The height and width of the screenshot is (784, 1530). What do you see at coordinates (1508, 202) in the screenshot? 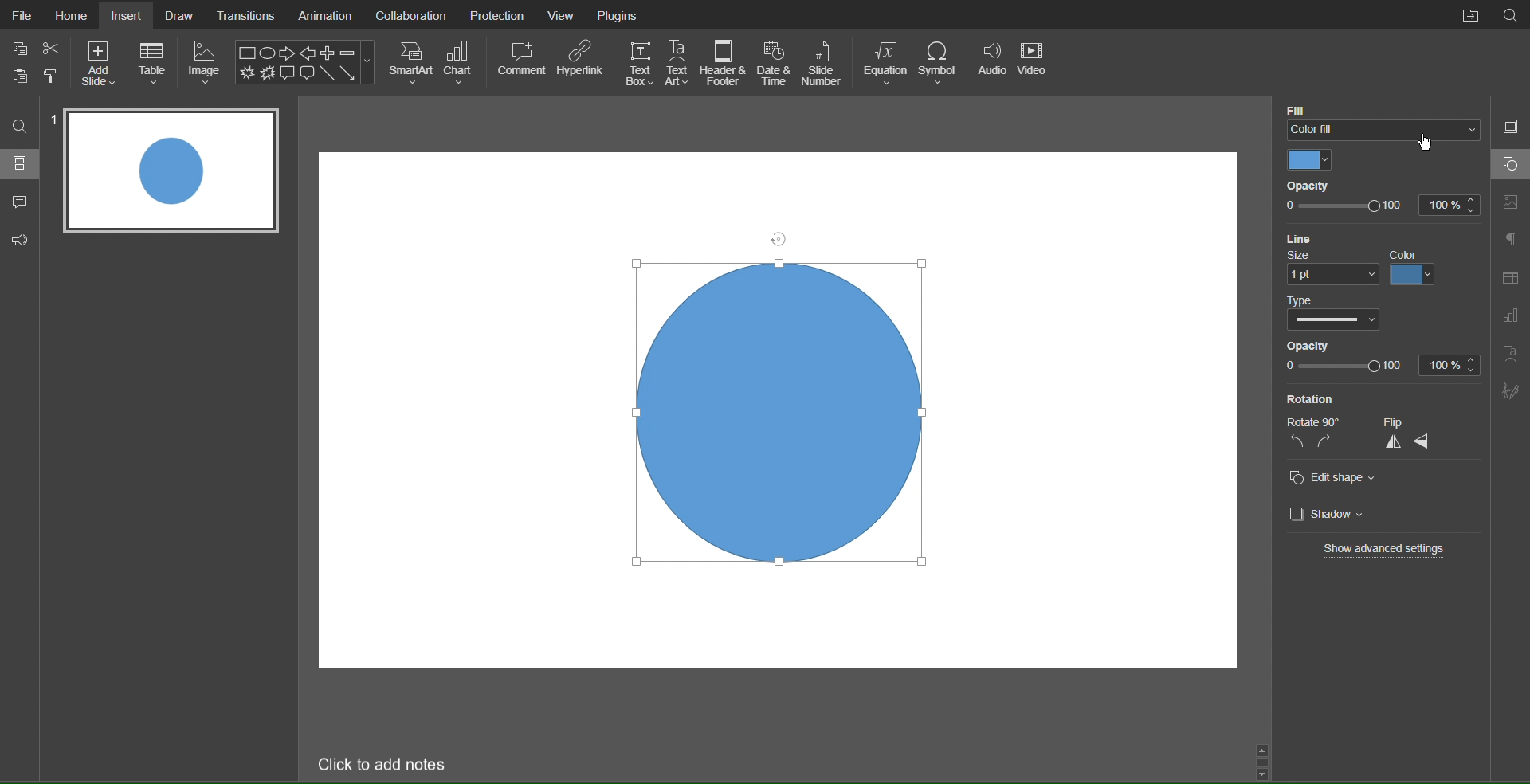
I see `Image Settings` at bounding box center [1508, 202].